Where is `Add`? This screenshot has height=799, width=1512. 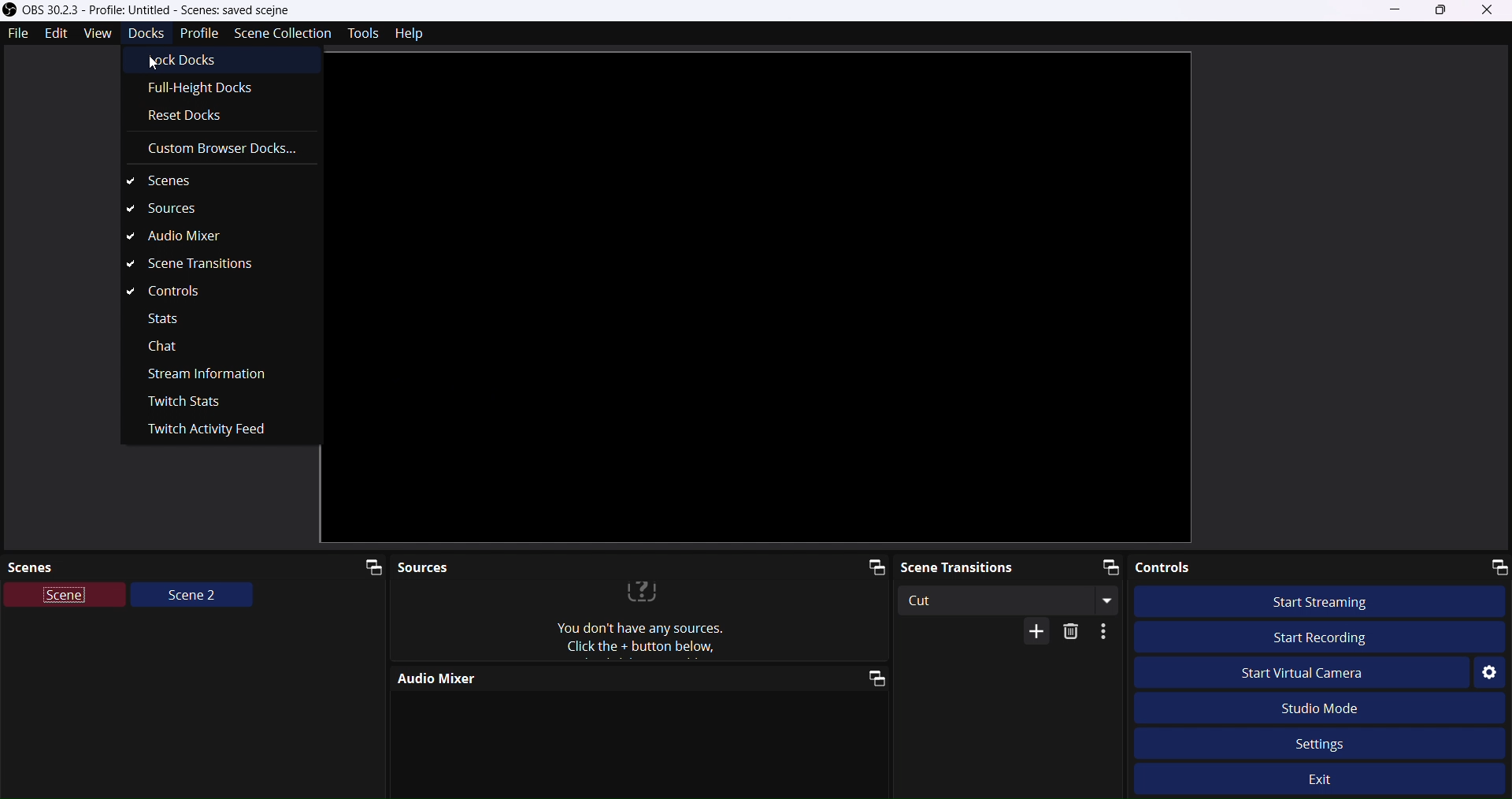 Add is located at coordinates (1028, 633).